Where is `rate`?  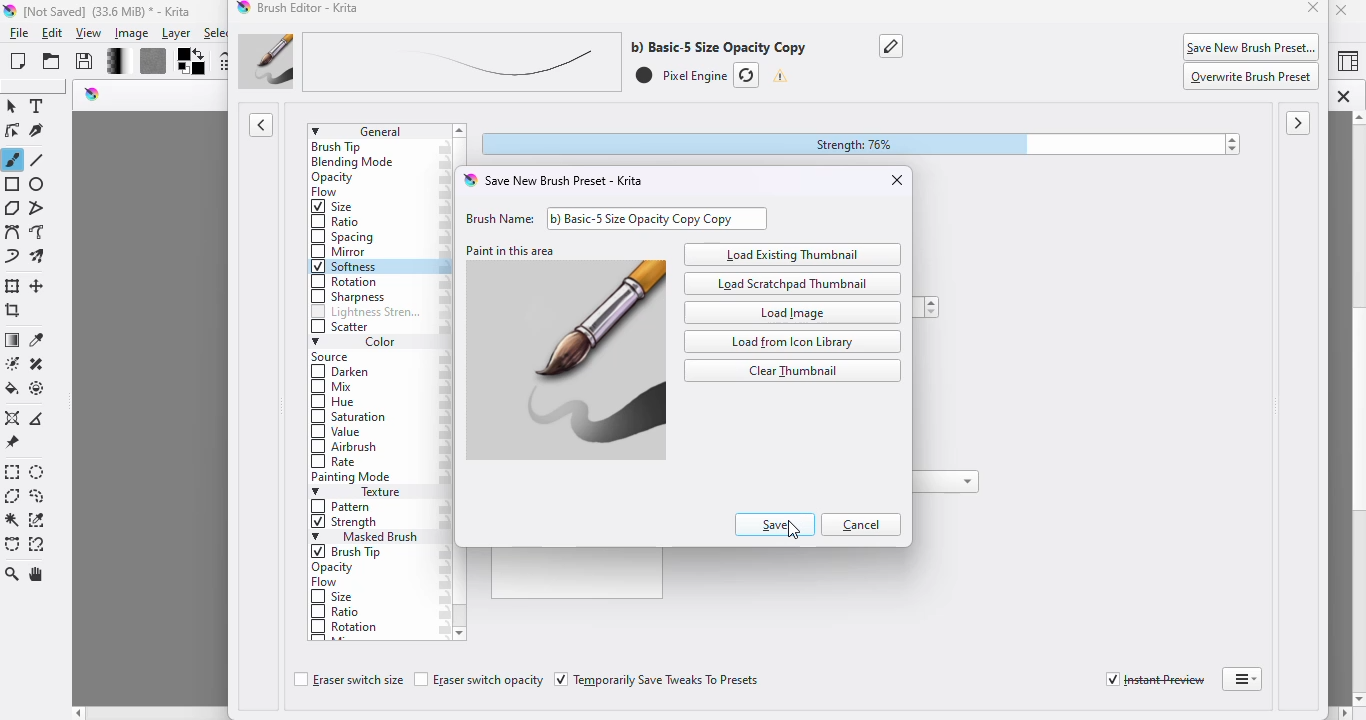 rate is located at coordinates (336, 462).